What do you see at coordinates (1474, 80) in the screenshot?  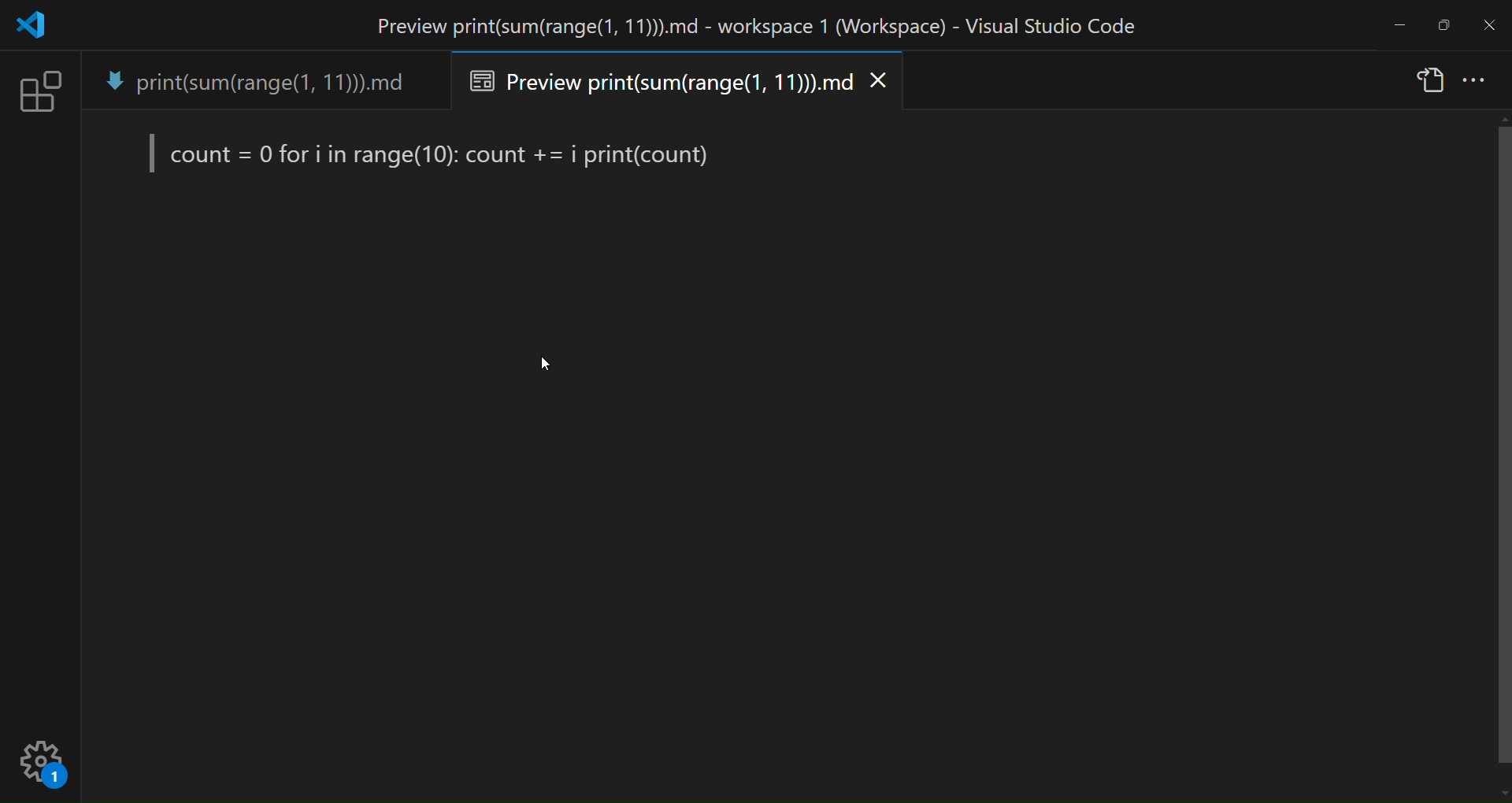 I see `more` at bounding box center [1474, 80].